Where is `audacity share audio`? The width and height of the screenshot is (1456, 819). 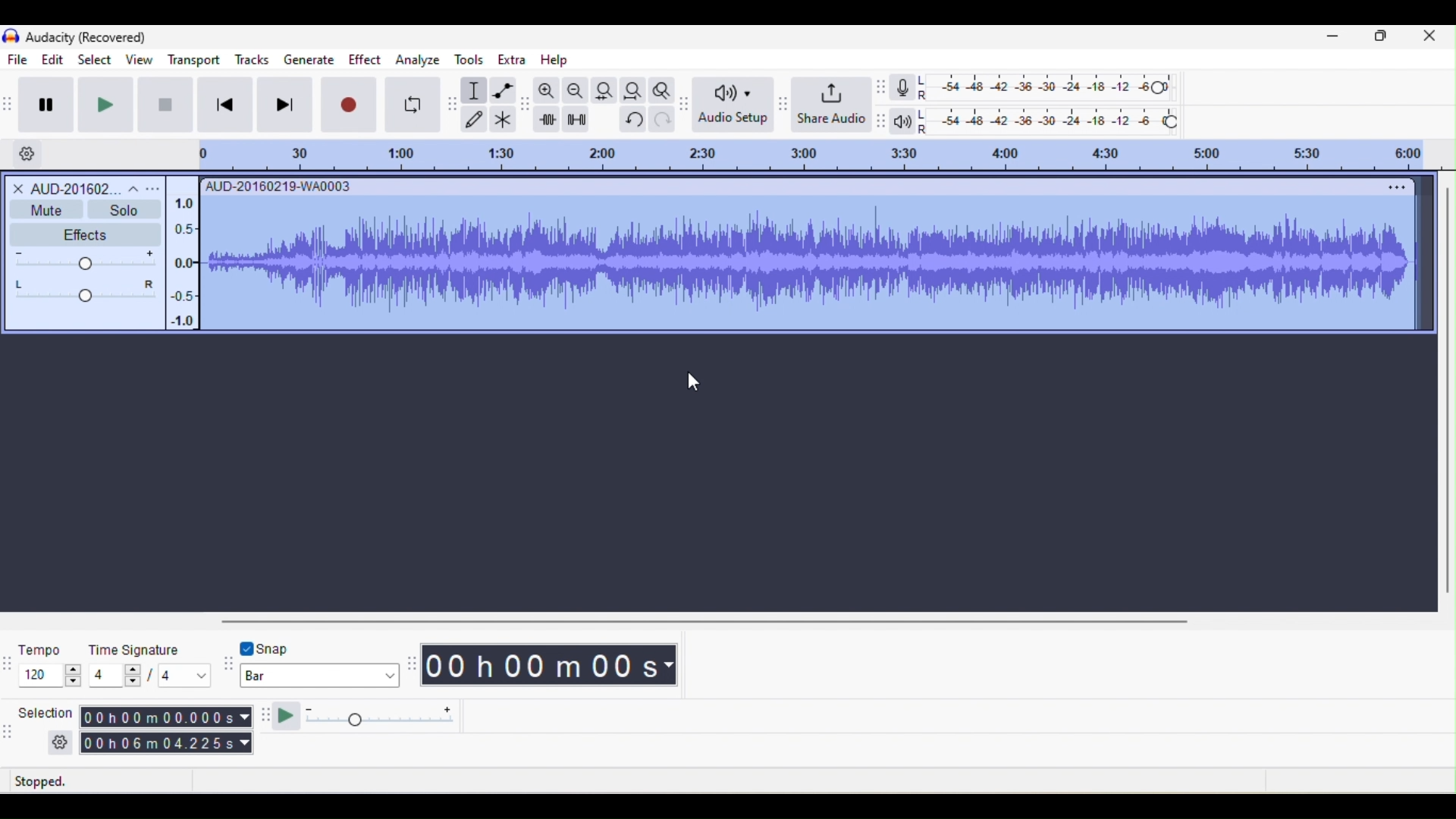
audacity share audio is located at coordinates (781, 104).